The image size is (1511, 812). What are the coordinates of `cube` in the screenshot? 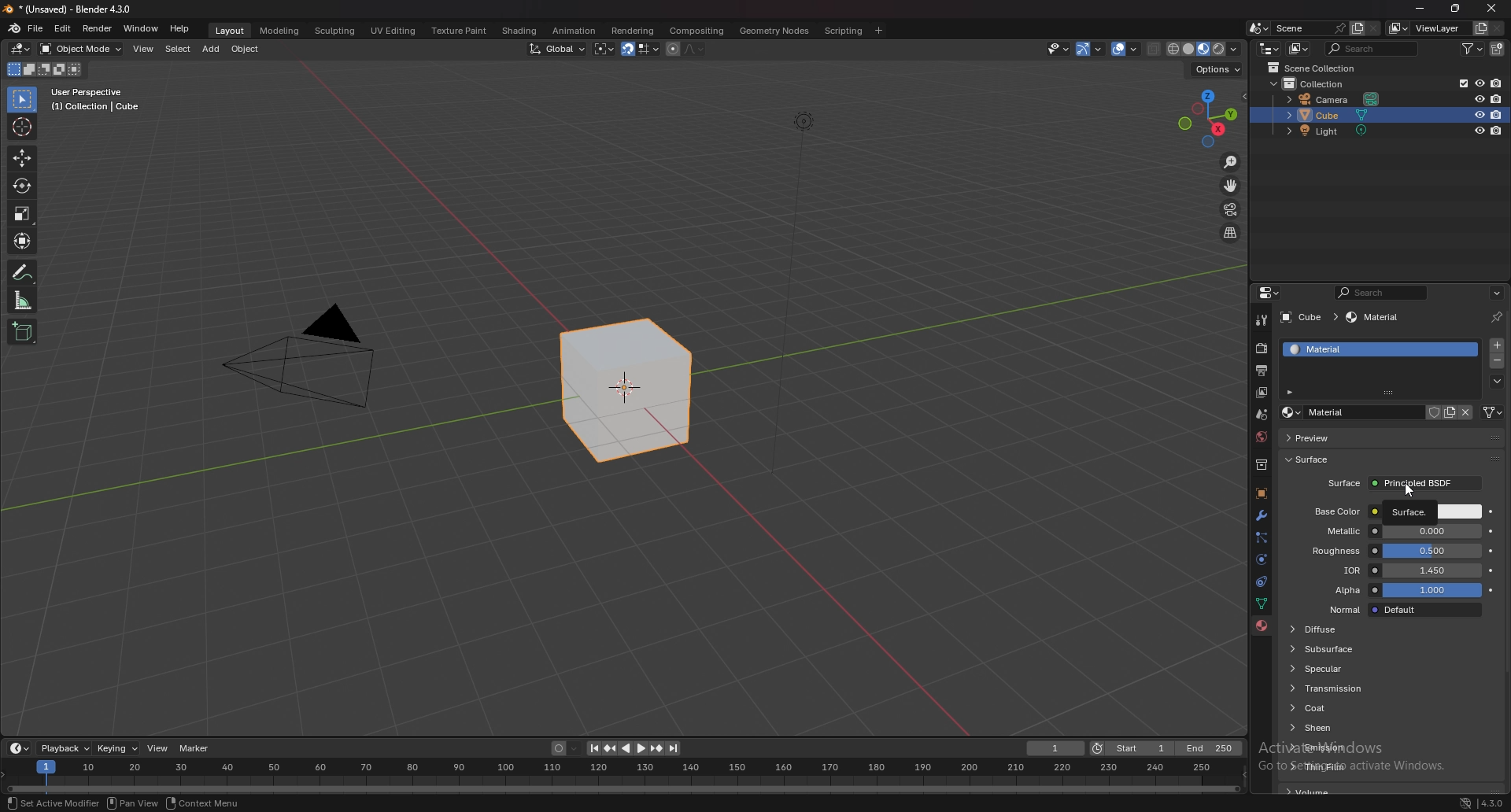 It's located at (1308, 318).